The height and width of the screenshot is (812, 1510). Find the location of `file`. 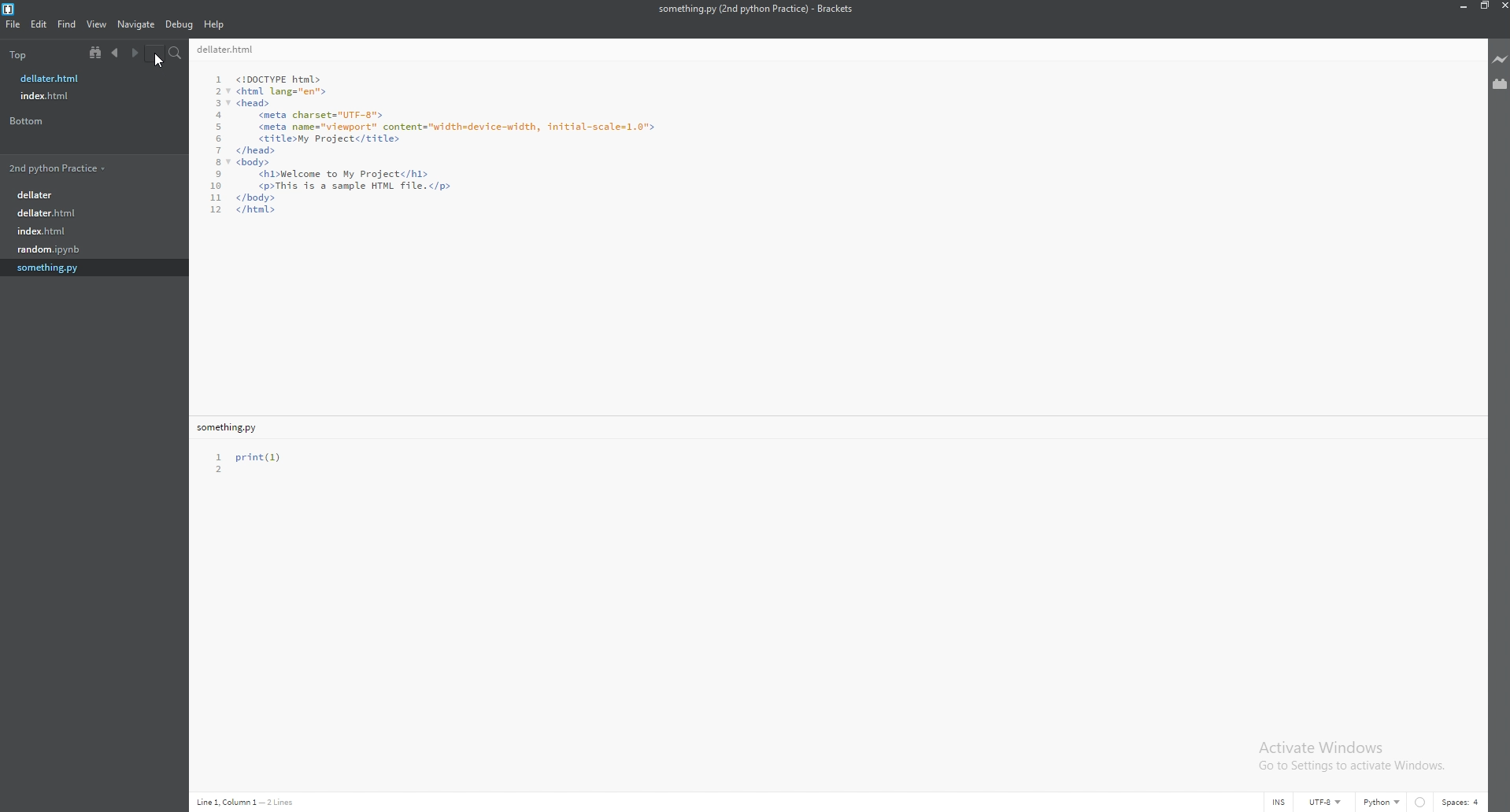

file is located at coordinates (92, 231).